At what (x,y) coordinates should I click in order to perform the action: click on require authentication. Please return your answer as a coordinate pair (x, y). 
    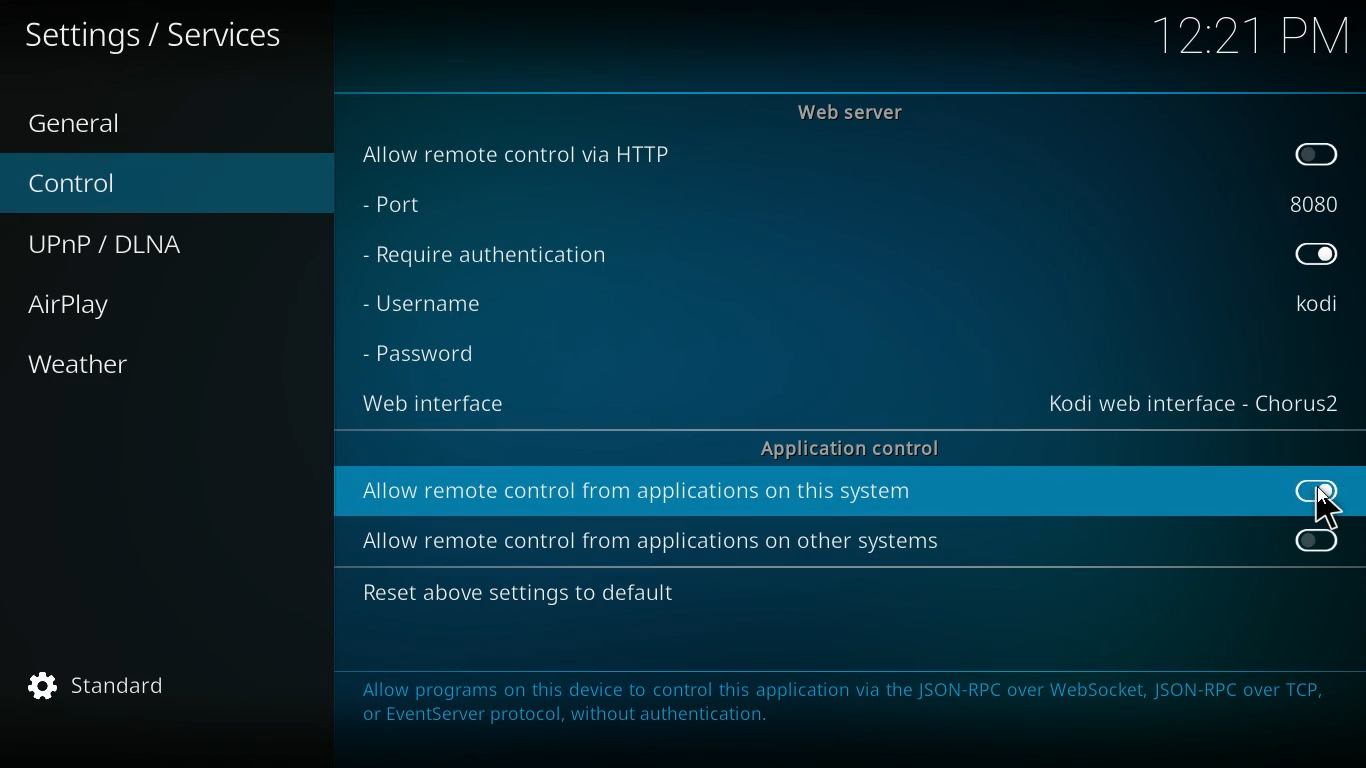
    Looking at the image, I should click on (484, 260).